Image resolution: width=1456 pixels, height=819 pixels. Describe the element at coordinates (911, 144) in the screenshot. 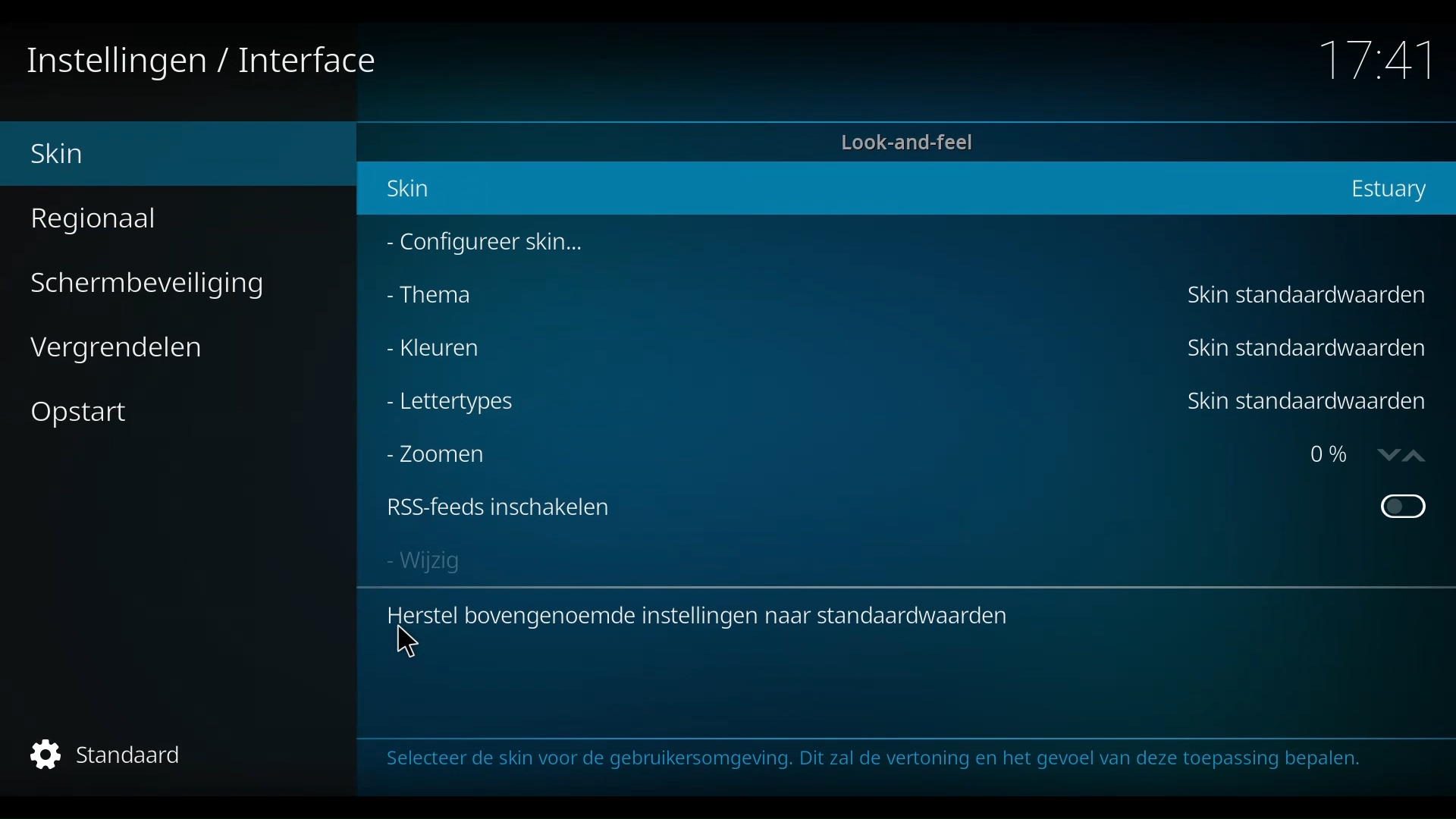

I see `Look-and-feel` at that location.